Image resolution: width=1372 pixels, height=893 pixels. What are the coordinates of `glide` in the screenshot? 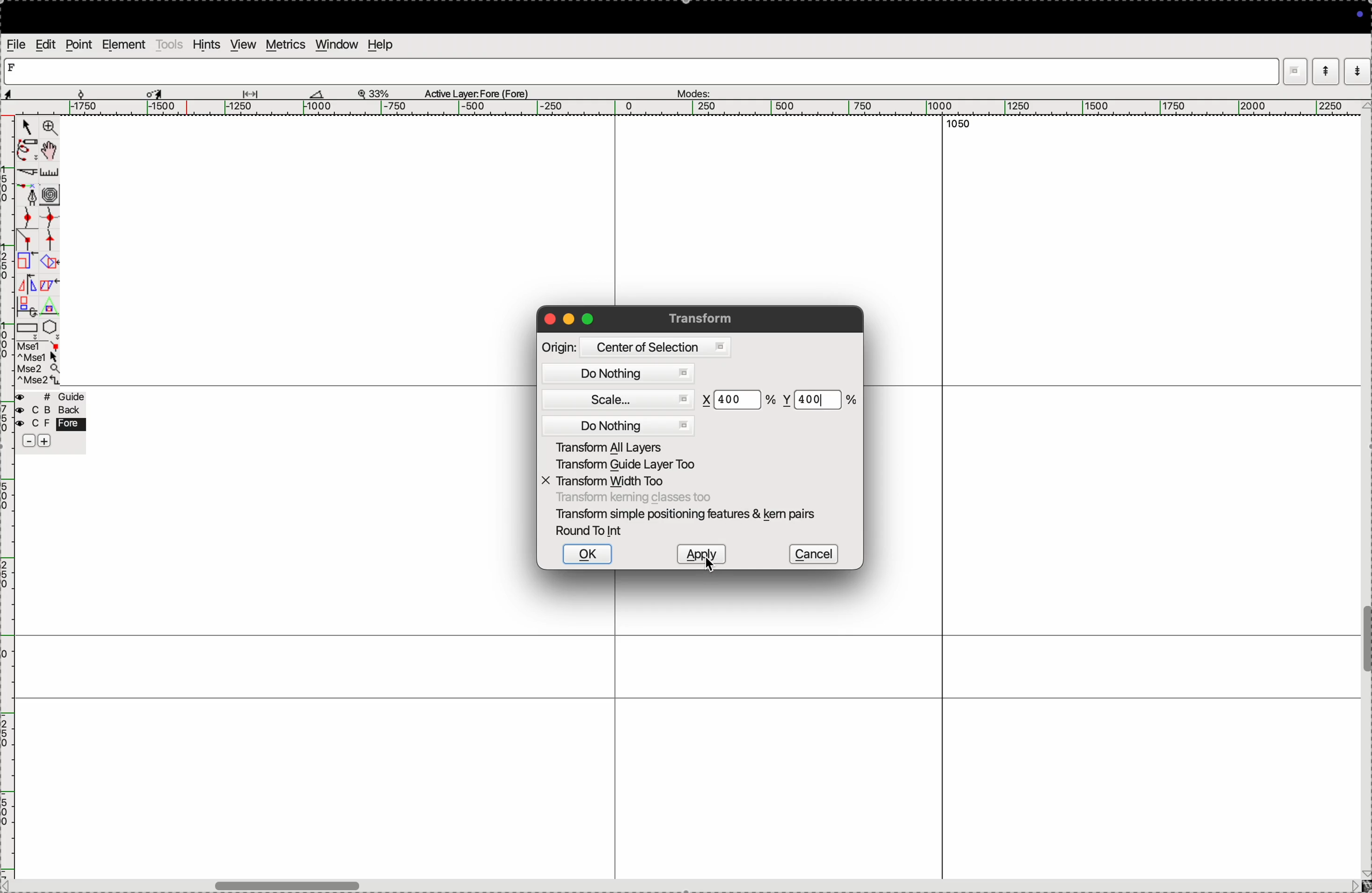 It's located at (254, 93).